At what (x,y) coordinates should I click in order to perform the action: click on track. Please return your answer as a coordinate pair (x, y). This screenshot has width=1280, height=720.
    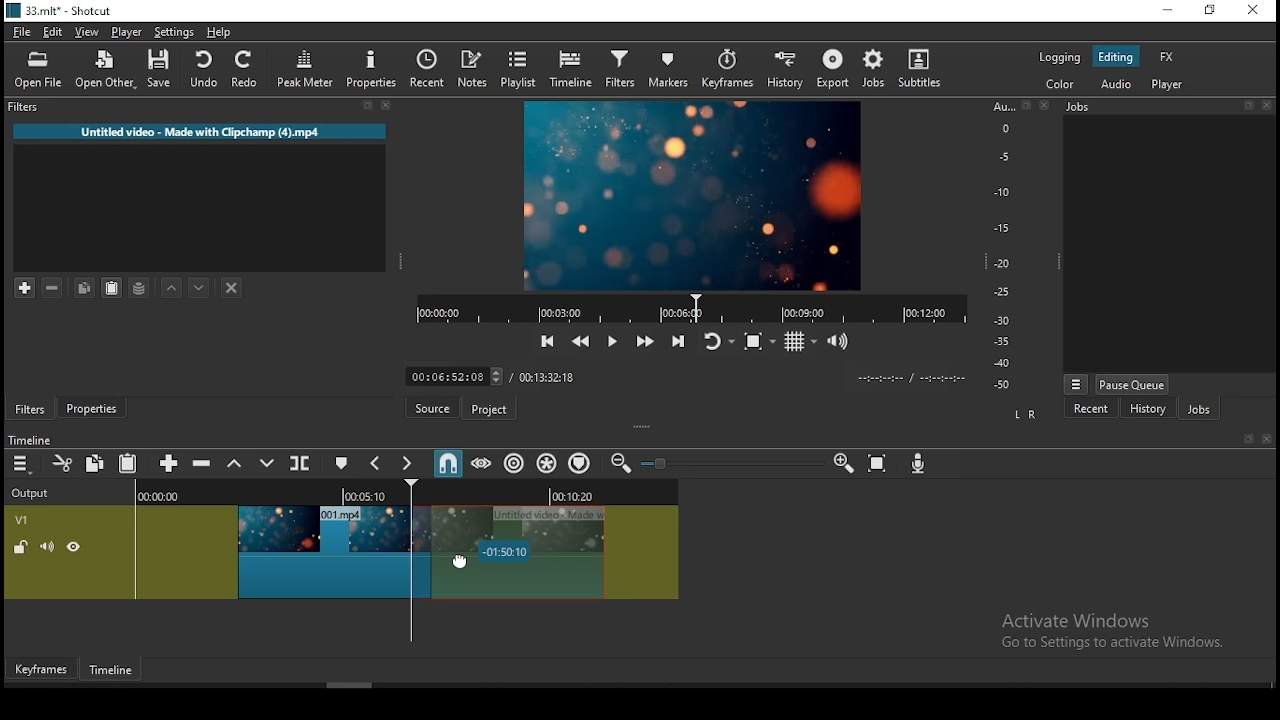
    Looking at the image, I should click on (402, 494).